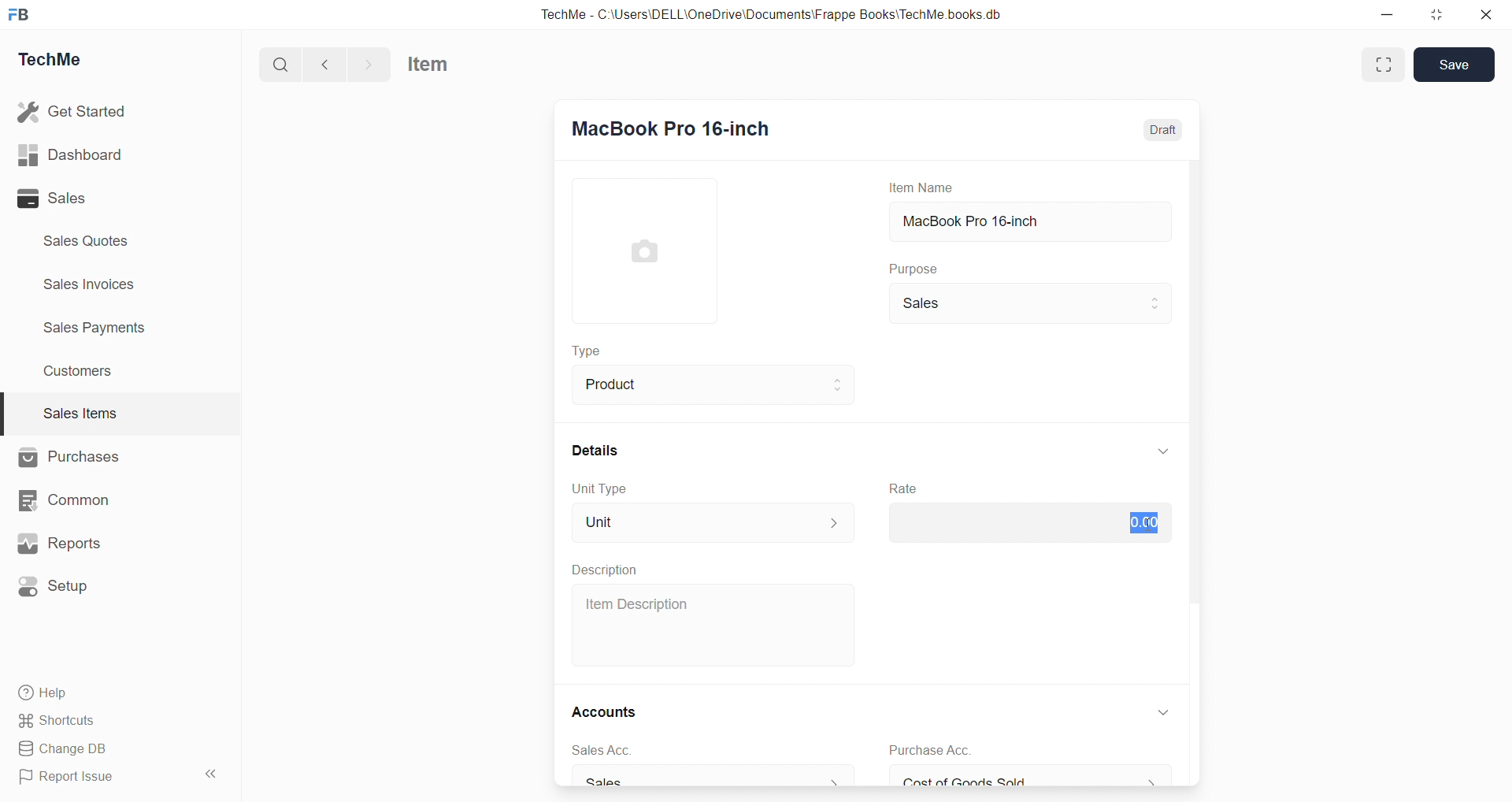  Describe the element at coordinates (773, 14) in the screenshot. I see `TechMe - C:\Users\DELL\OneDrive\Documents\Frappe Books\TechMe books.db` at that location.